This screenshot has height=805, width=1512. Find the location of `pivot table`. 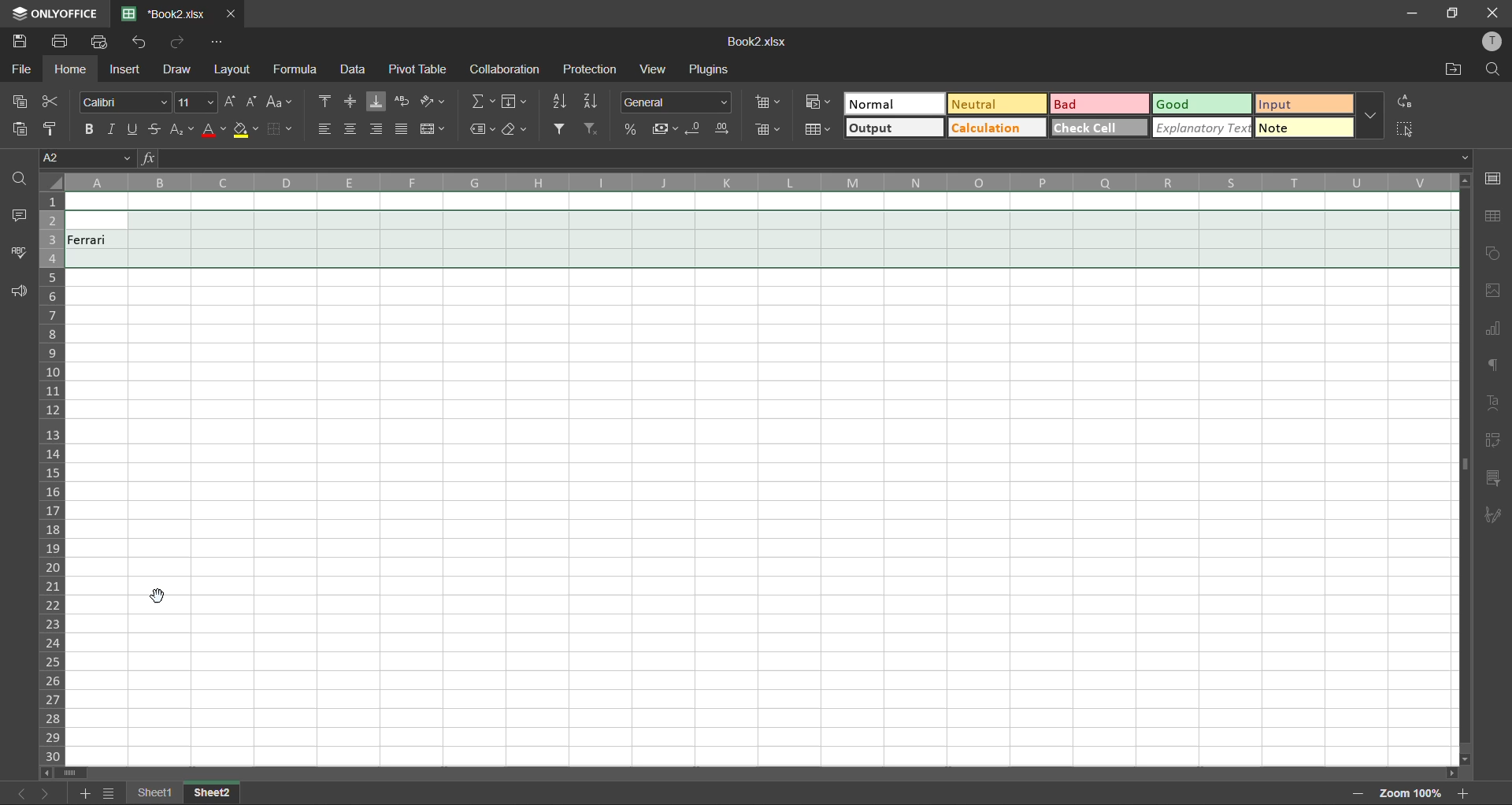

pivot table is located at coordinates (1492, 440).